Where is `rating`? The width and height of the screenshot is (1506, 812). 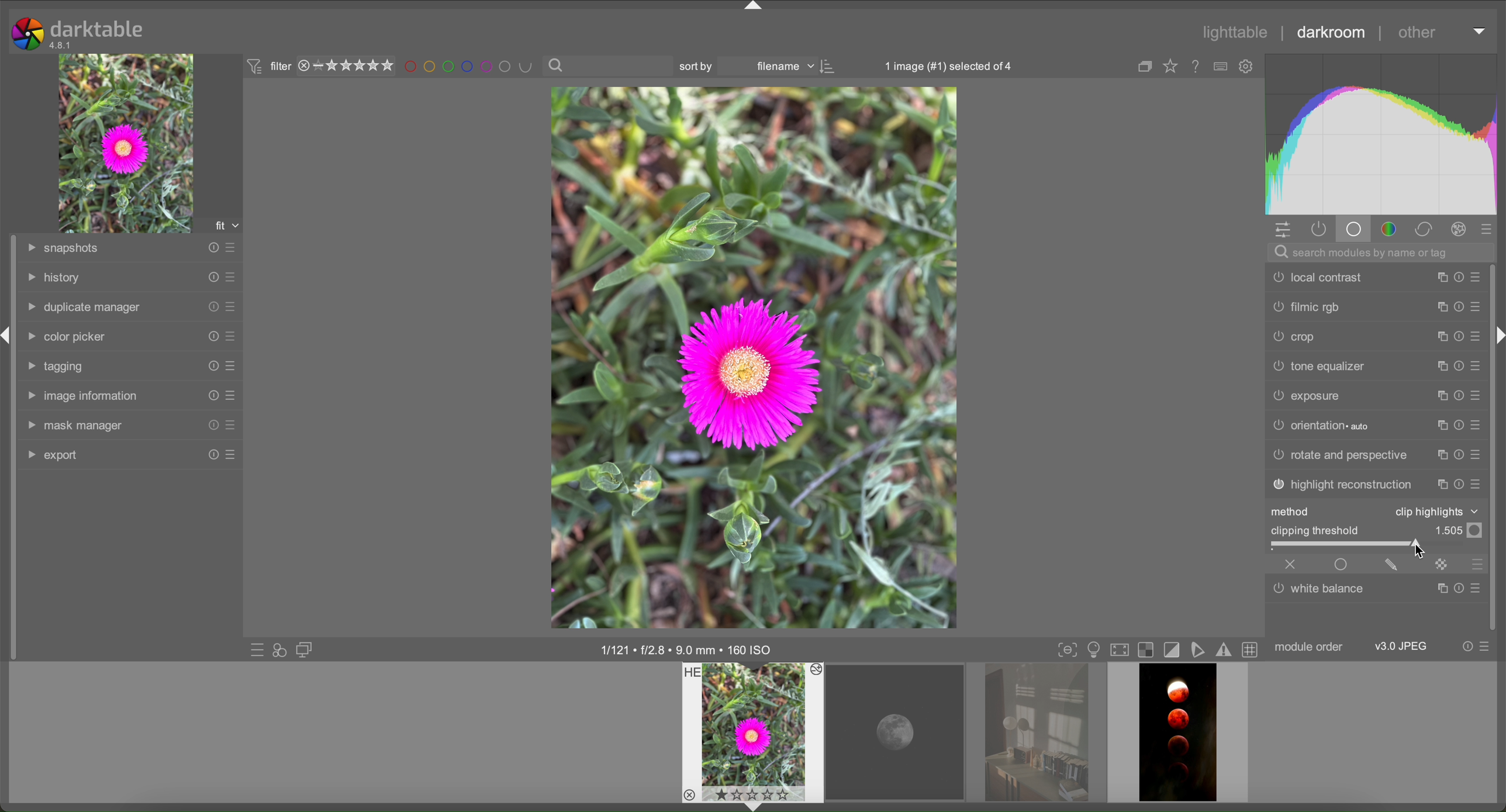 rating is located at coordinates (346, 67).